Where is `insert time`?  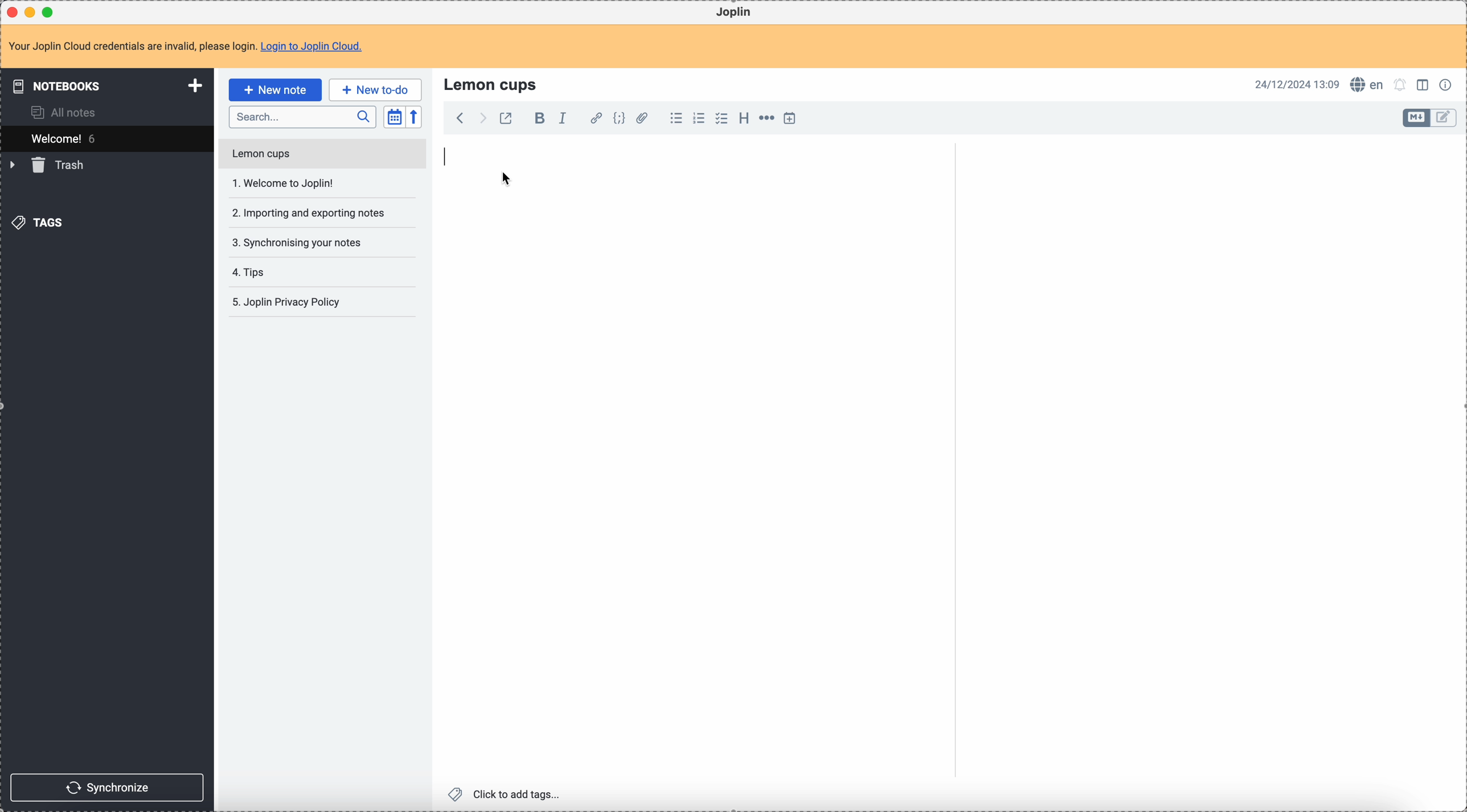
insert time is located at coordinates (789, 118).